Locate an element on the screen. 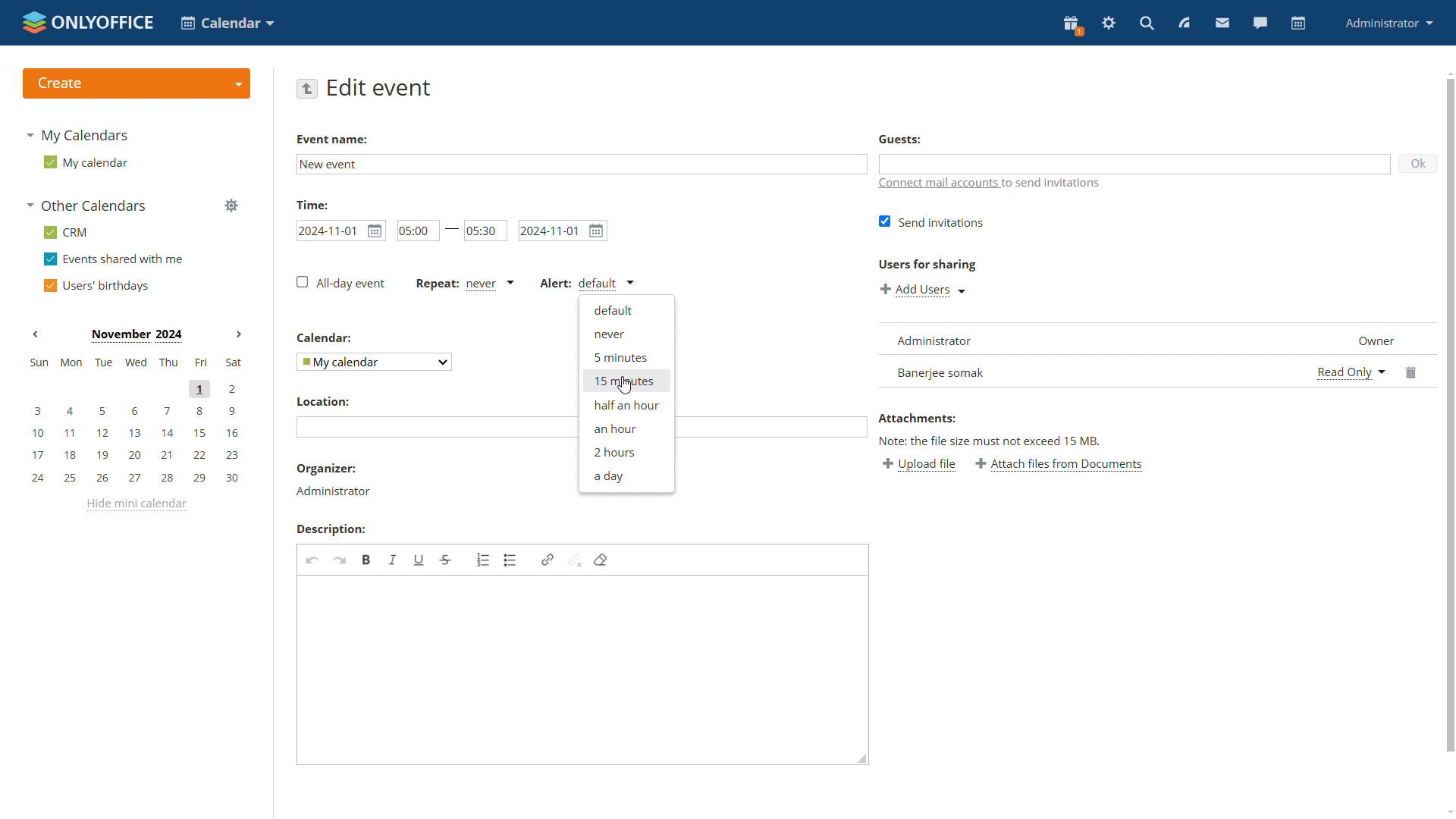 The height and width of the screenshot is (819, 1456). events shared with me is located at coordinates (114, 260).